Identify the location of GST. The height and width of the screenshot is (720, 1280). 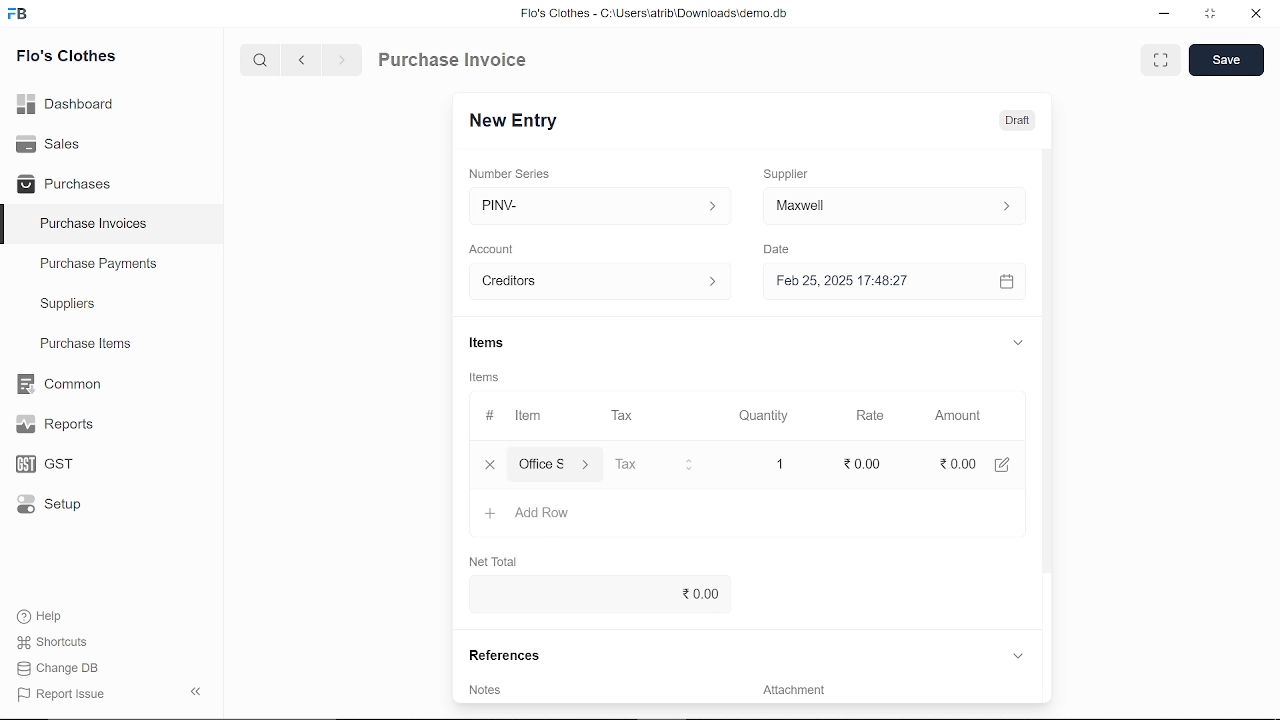
(38, 465).